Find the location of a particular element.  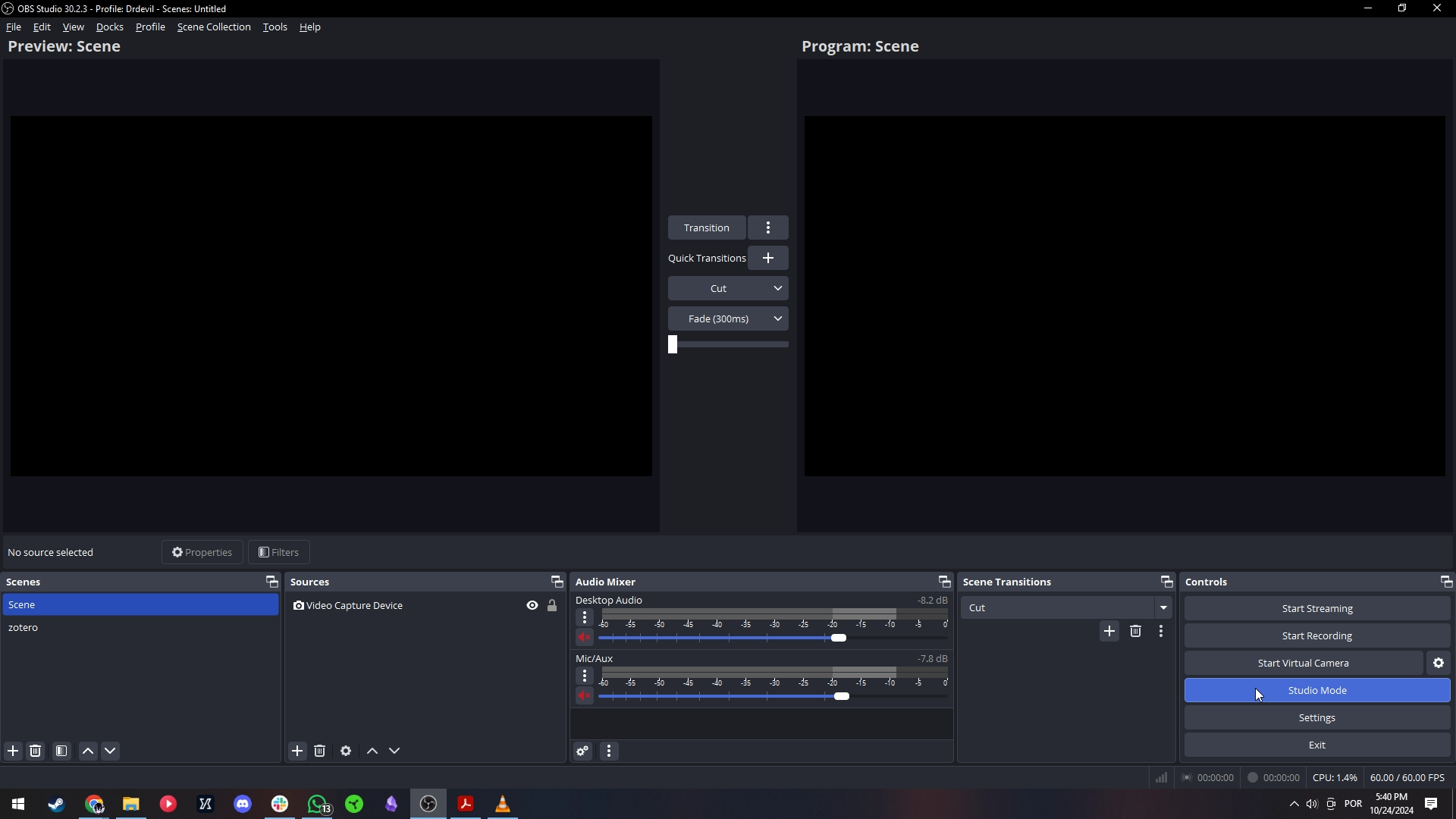

Recording runtime is located at coordinates (1275, 777).